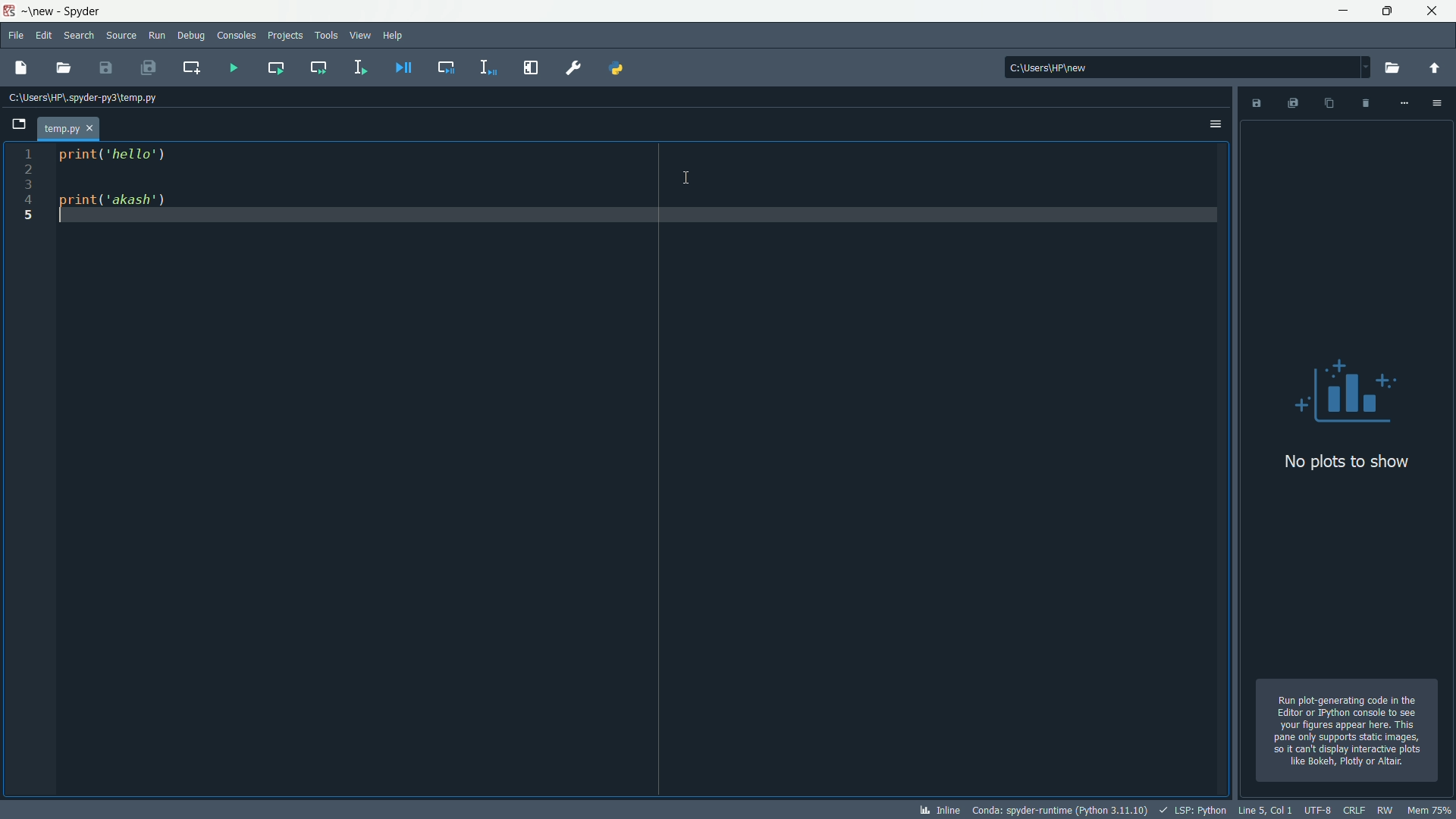 The image size is (1456, 819). Describe the element at coordinates (231, 65) in the screenshot. I see `run file` at that location.